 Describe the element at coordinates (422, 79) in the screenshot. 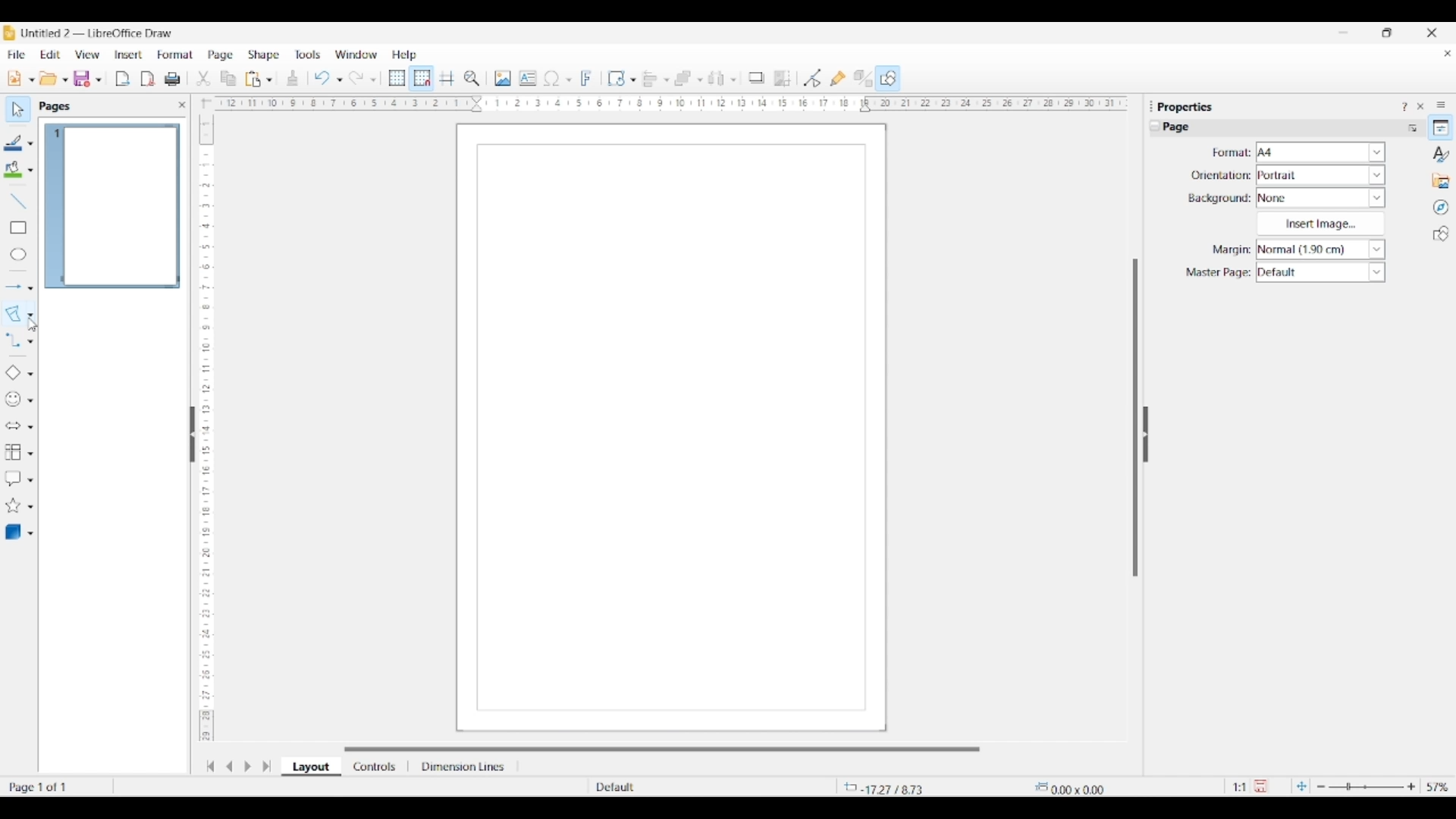

I see `Snap to grid` at that location.